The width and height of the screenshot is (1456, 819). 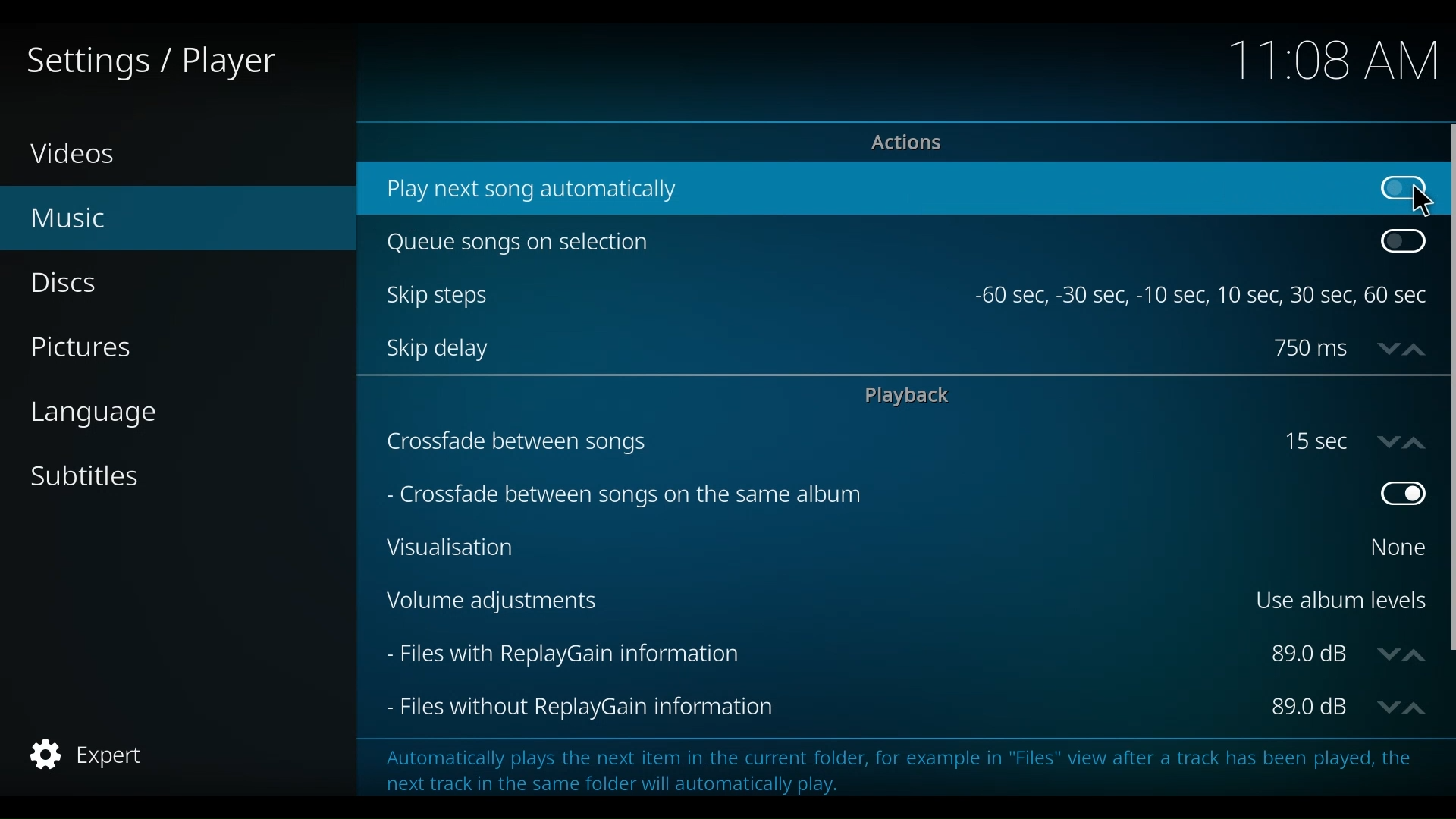 What do you see at coordinates (1311, 348) in the screenshot?
I see `Skip delay in ms` at bounding box center [1311, 348].